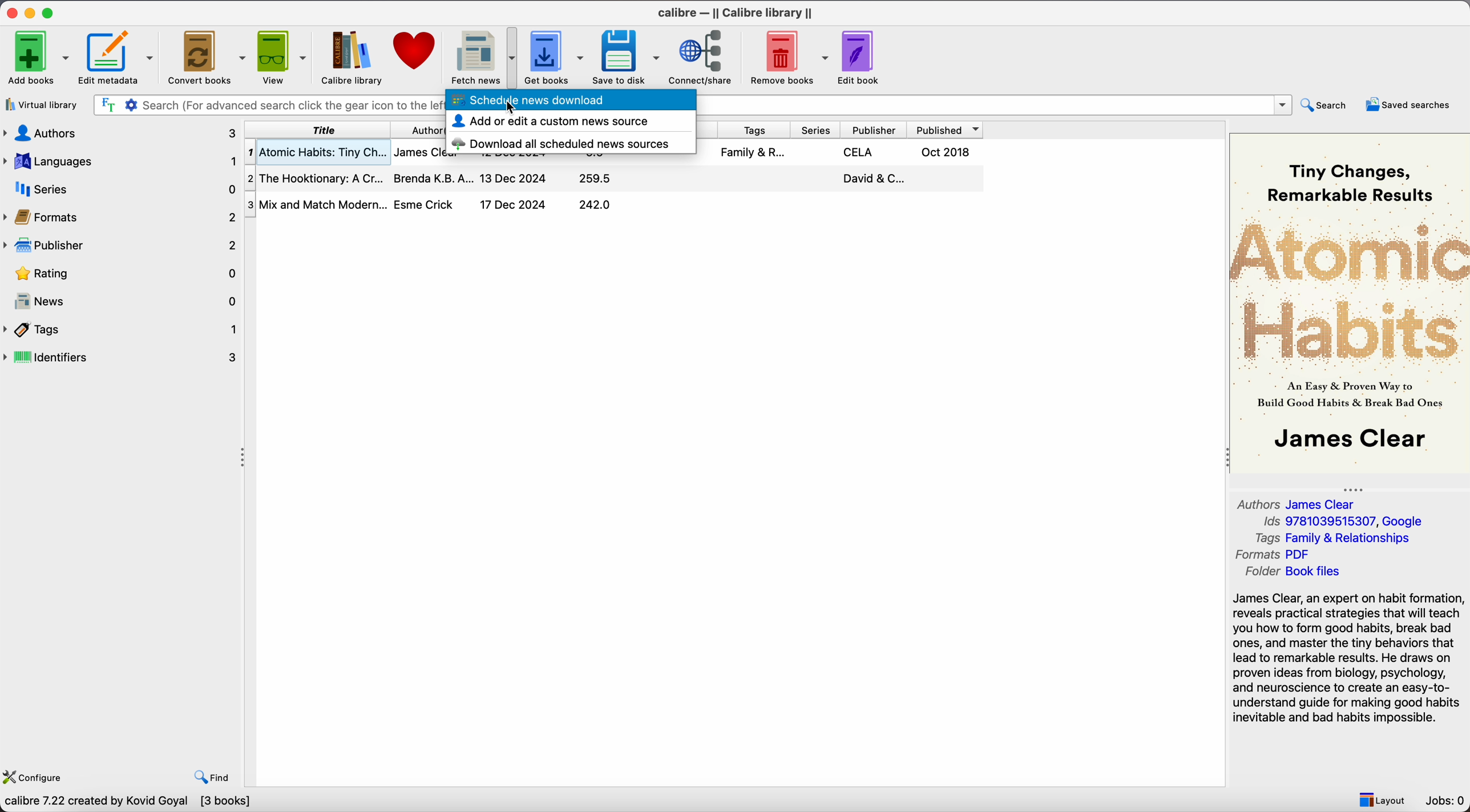 The image size is (1470, 812). What do you see at coordinates (119, 273) in the screenshot?
I see `rating` at bounding box center [119, 273].